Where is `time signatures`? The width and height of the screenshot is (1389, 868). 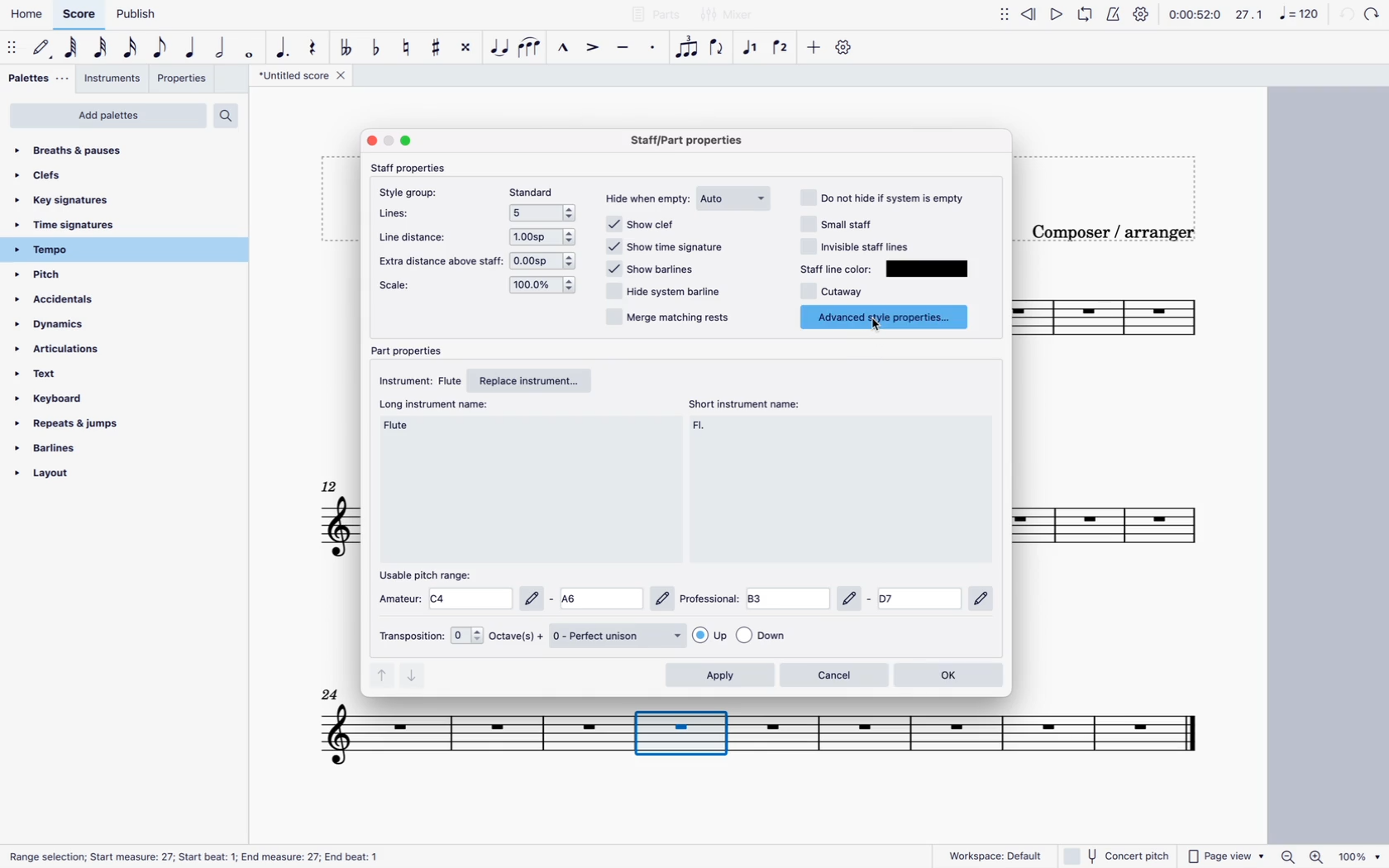 time signatures is located at coordinates (76, 227).